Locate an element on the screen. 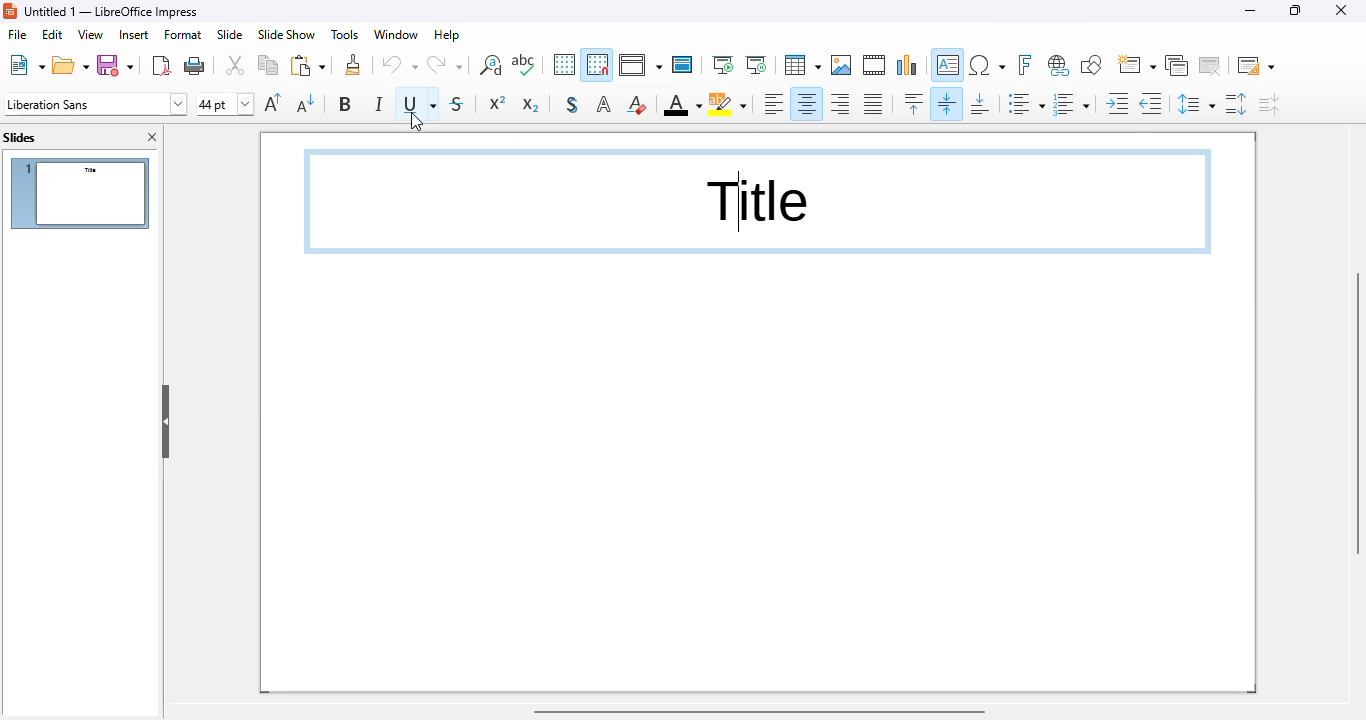 The image size is (1366, 720). vertical scroll bar is located at coordinates (1354, 413).